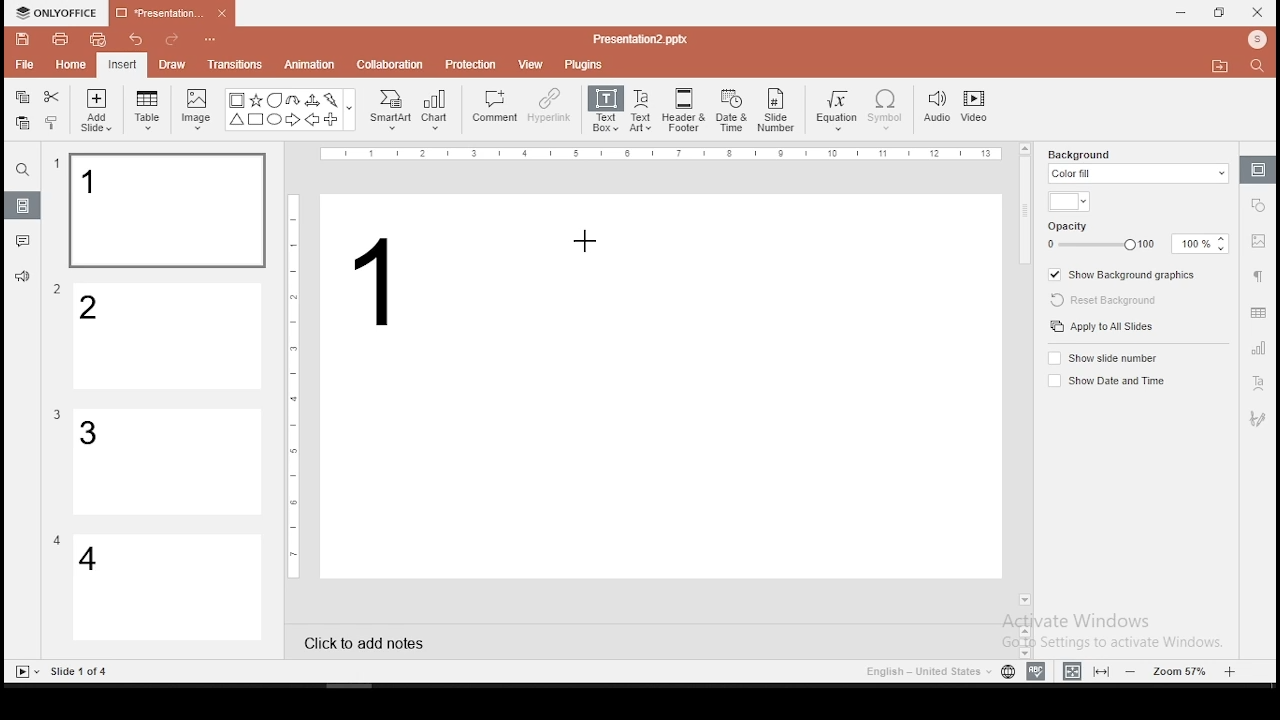 Image resolution: width=1280 pixels, height=720 pixels. What do you see at coordinates (215, 41) in the screenshot?
I see `` at bounding box center [215, 41].